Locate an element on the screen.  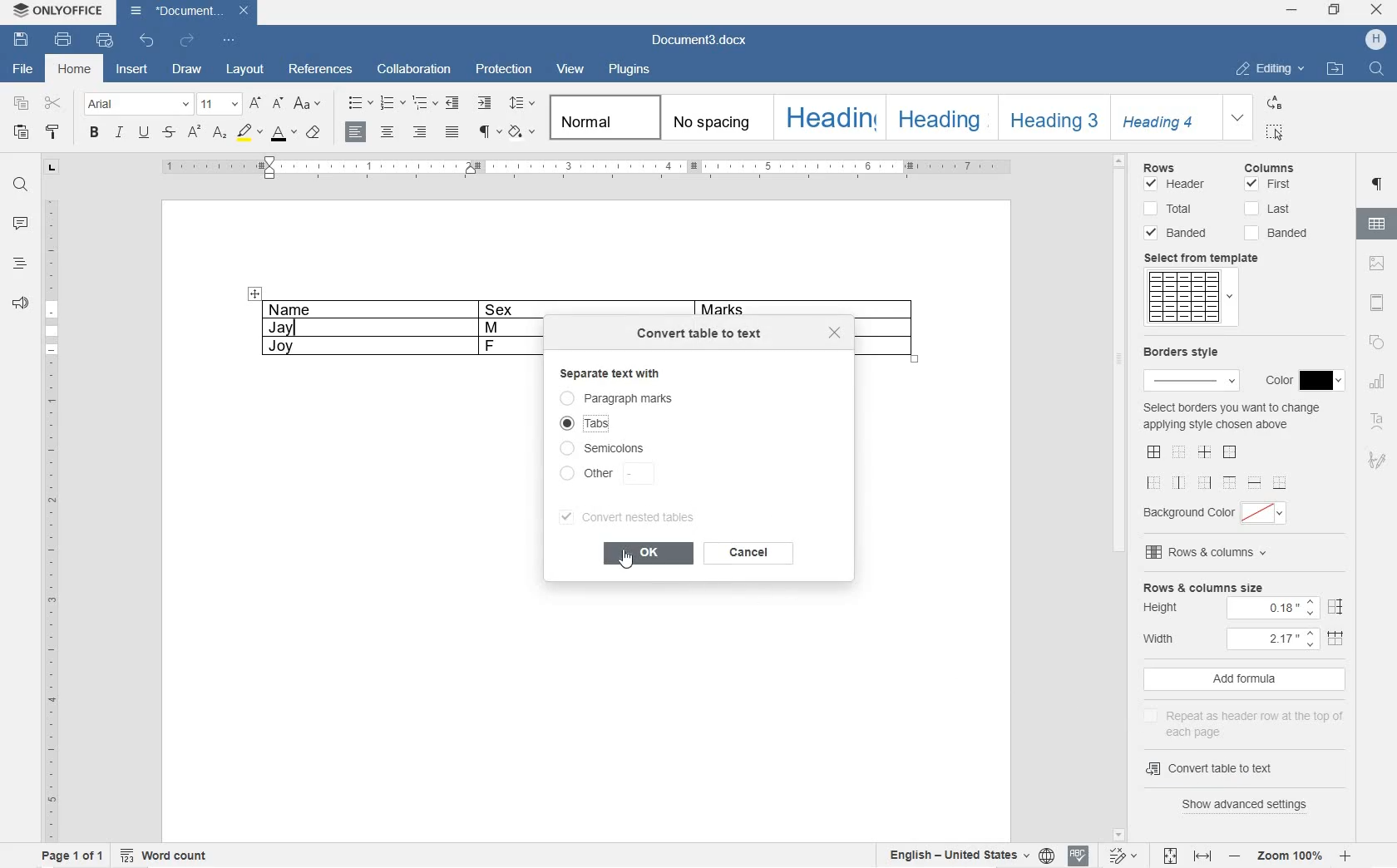
Banded is located at coordinates (1279, 233).